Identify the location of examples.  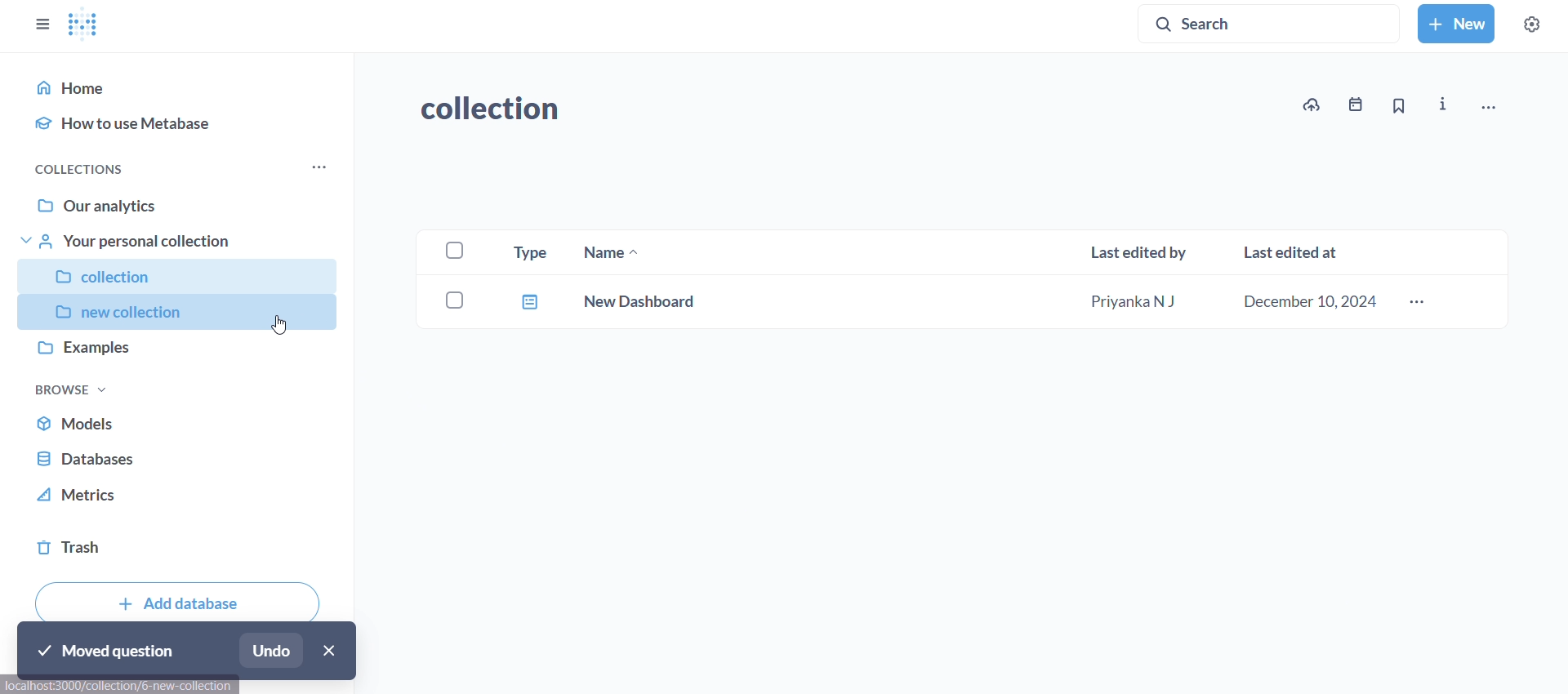
(176, 352).